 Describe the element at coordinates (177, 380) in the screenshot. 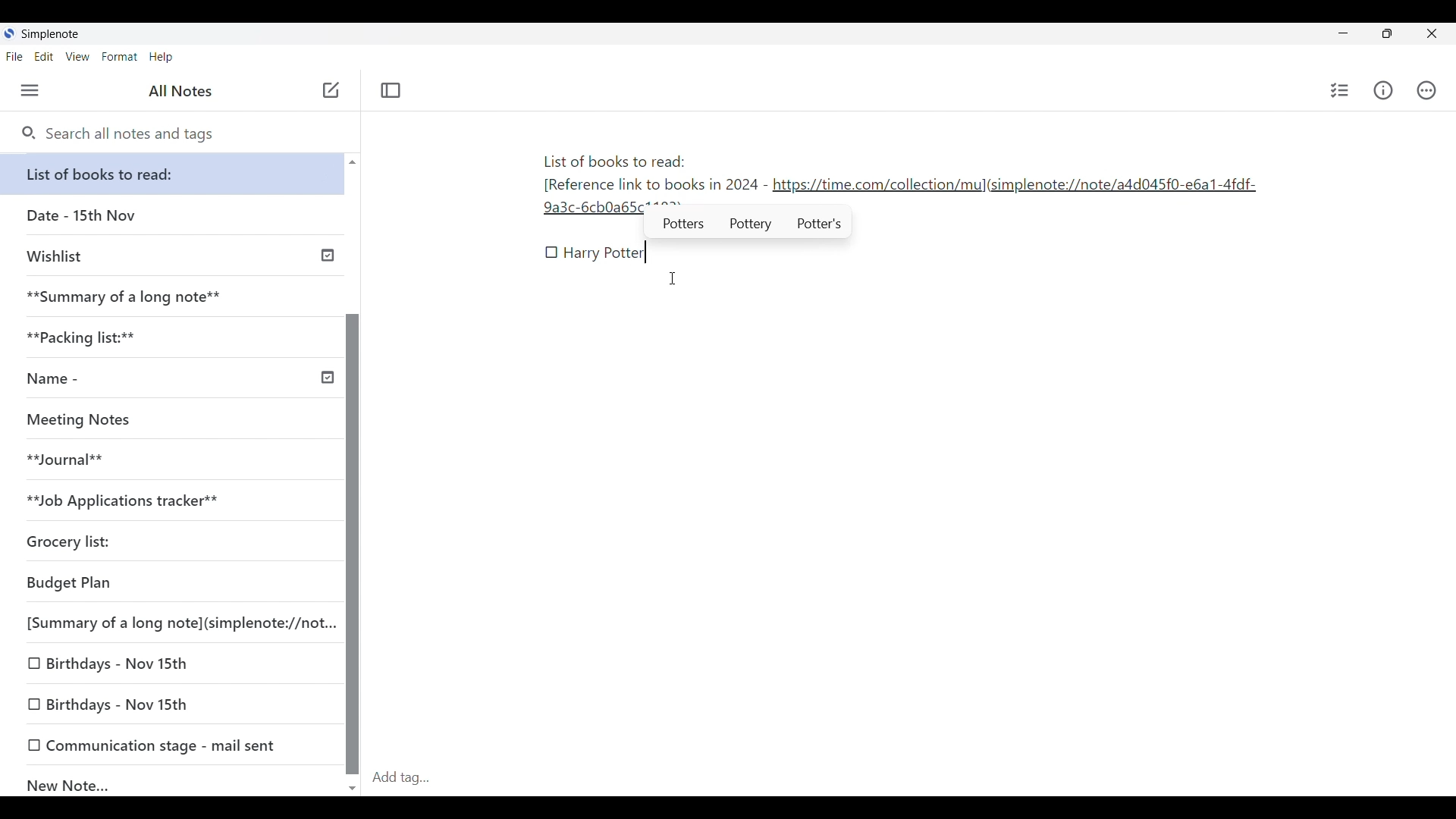

I see `Name -` at that location.